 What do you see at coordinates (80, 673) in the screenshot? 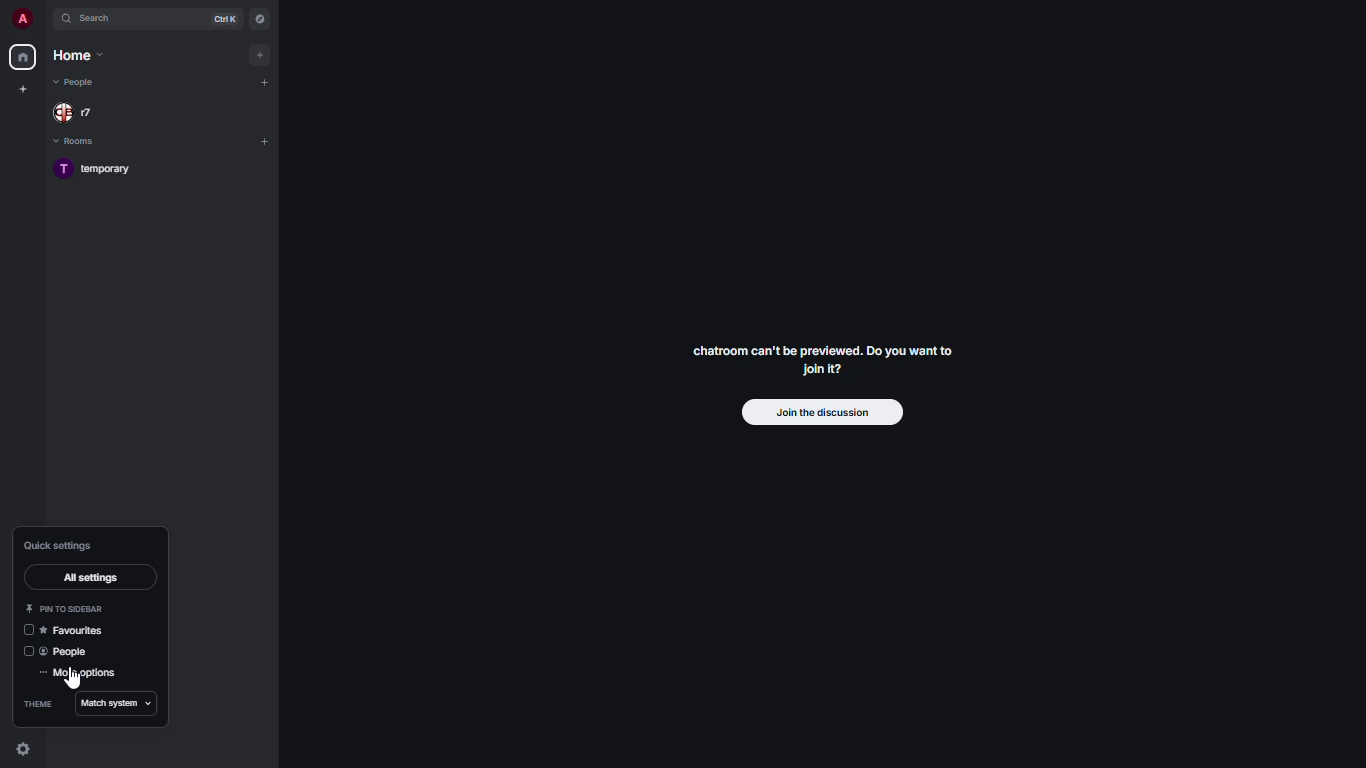
I see `more settings` at bounding box center [80, 673].